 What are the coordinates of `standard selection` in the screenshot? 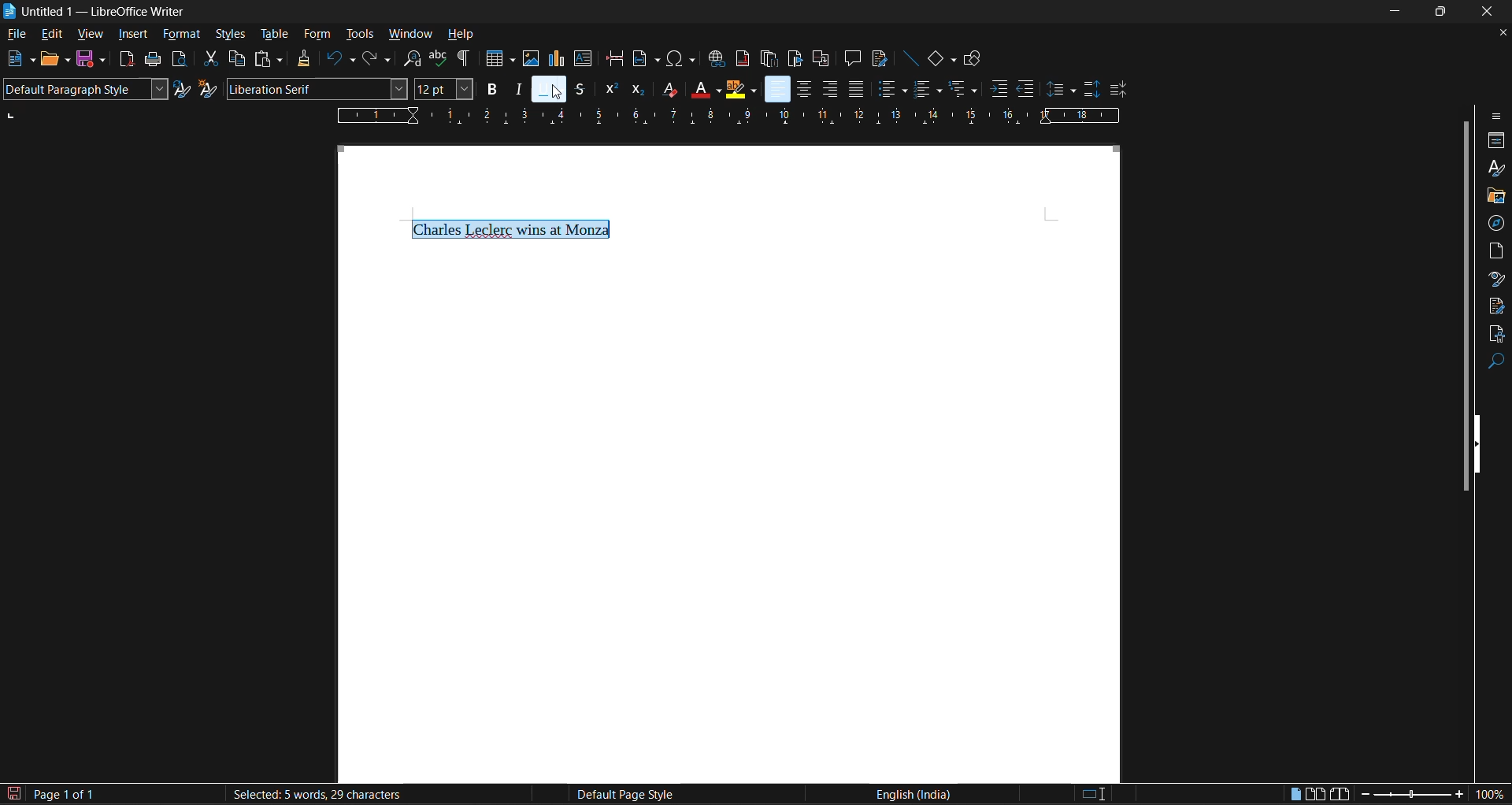 It's located at (1093, 796).